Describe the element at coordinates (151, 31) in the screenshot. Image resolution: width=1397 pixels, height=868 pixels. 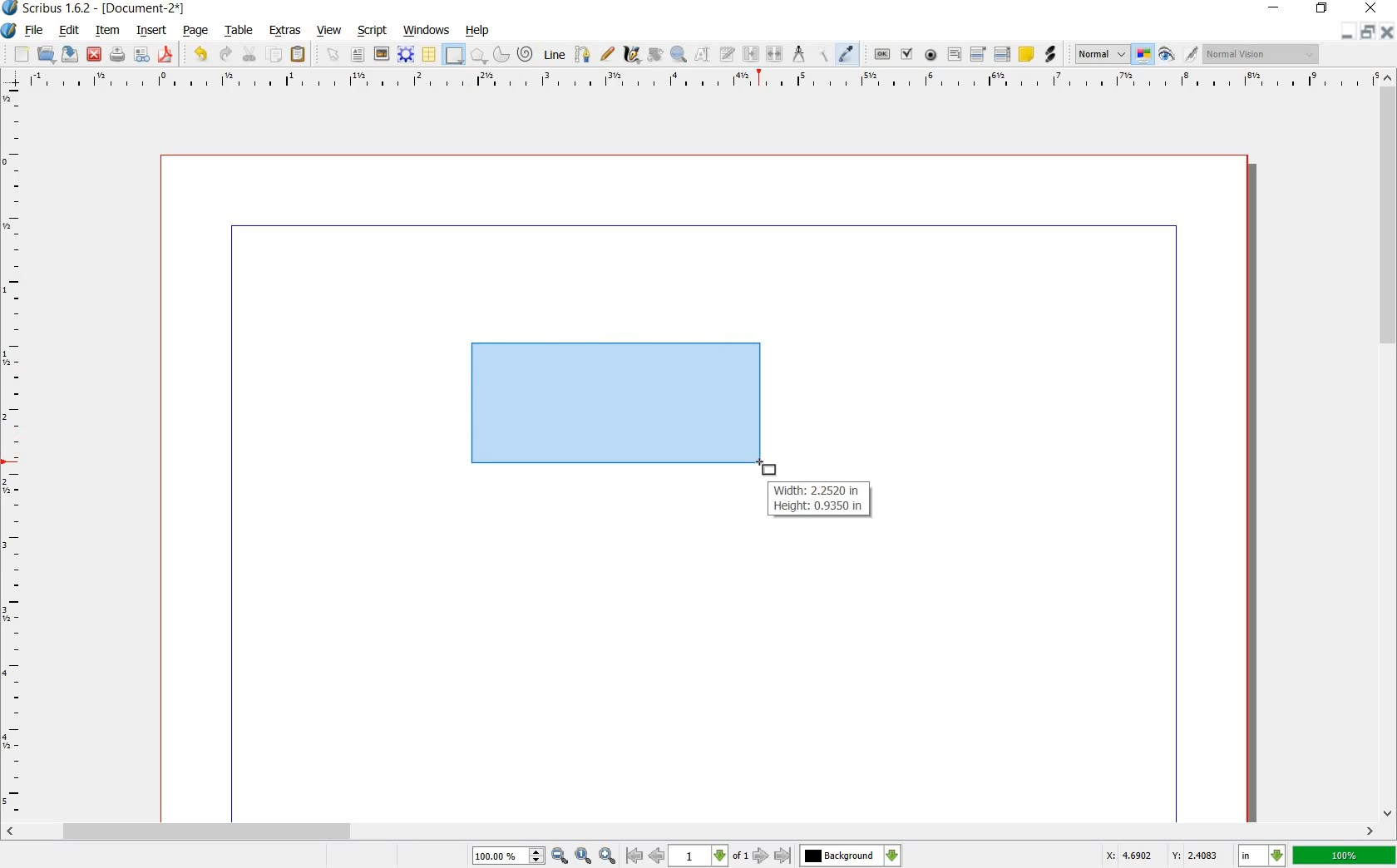
I see `INSERT` at that location.